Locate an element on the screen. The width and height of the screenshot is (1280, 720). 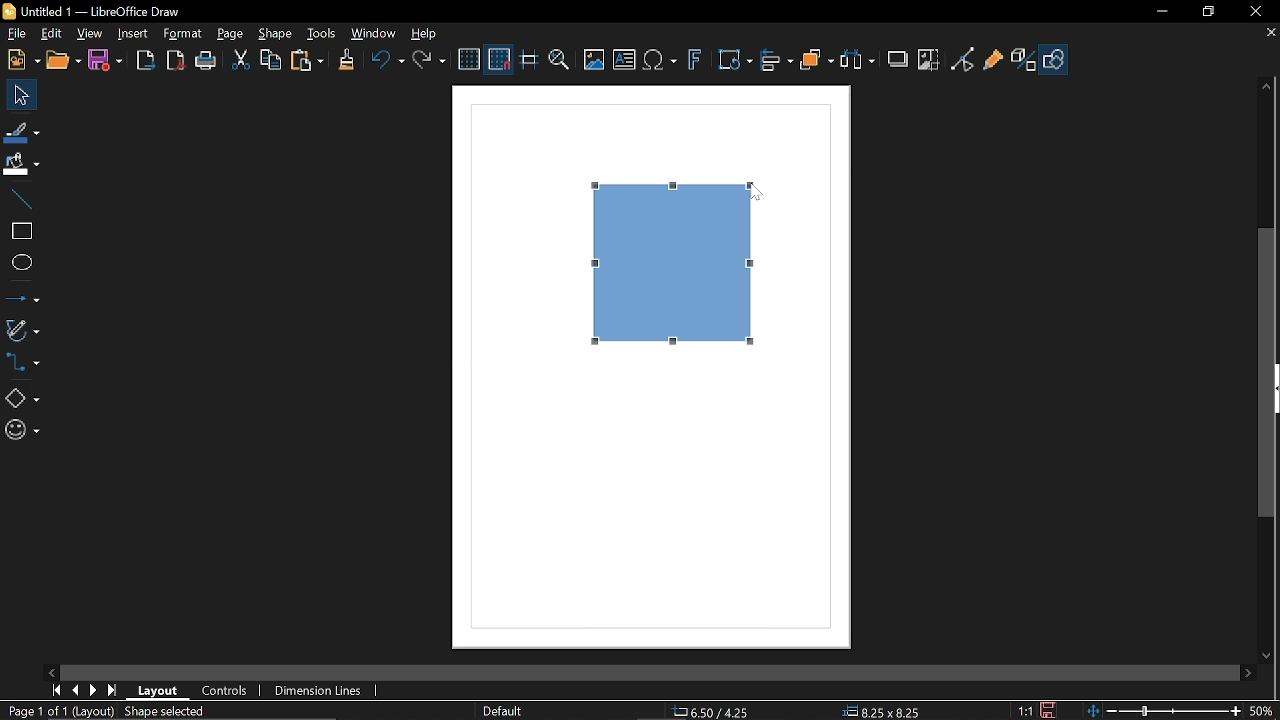
Insert fontwork text is located at coordinates (696, 64).